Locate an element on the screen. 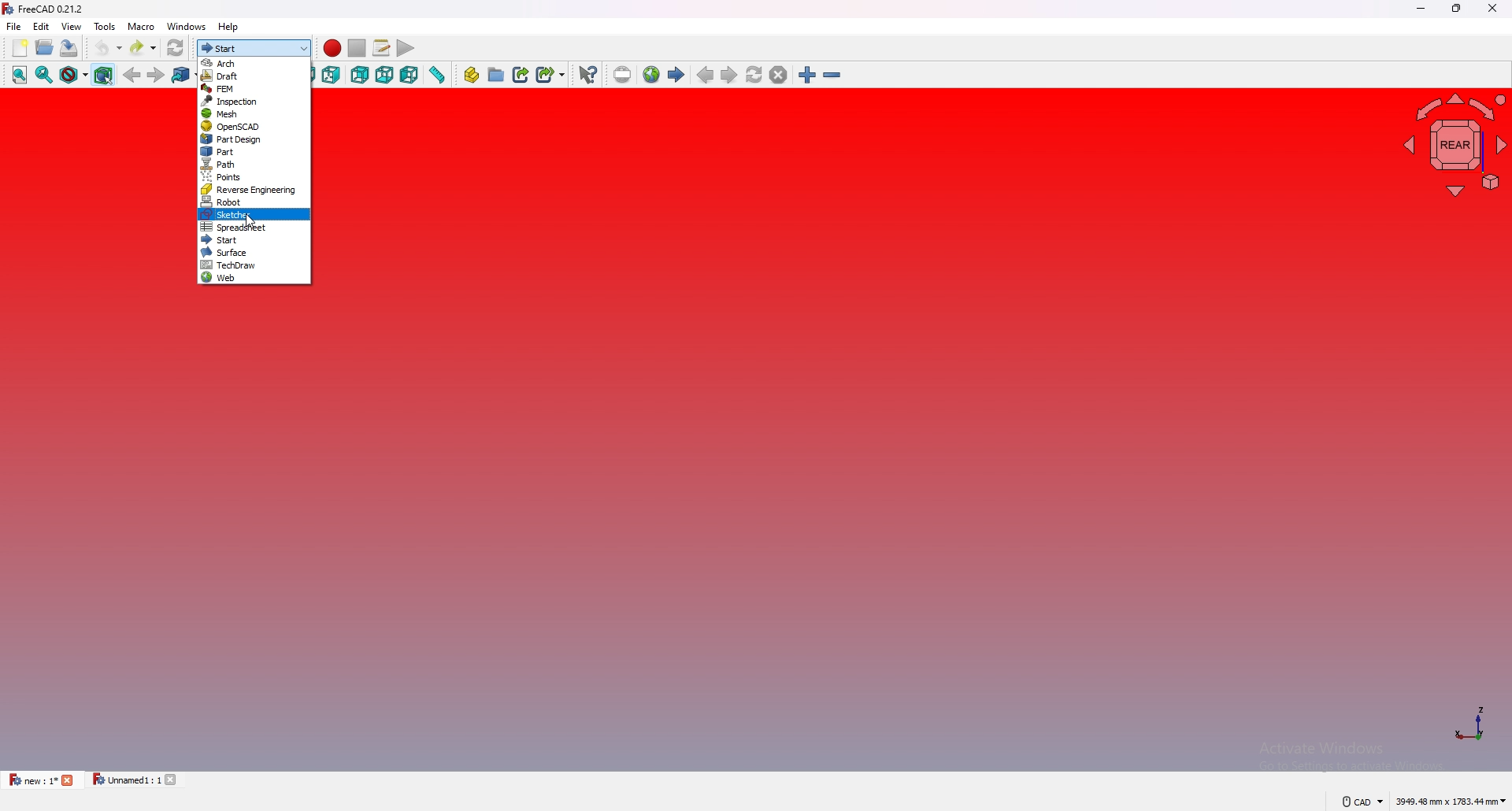 The width and height of the screenshot is (1512, 811). redo is located at coordinates (145, 47).